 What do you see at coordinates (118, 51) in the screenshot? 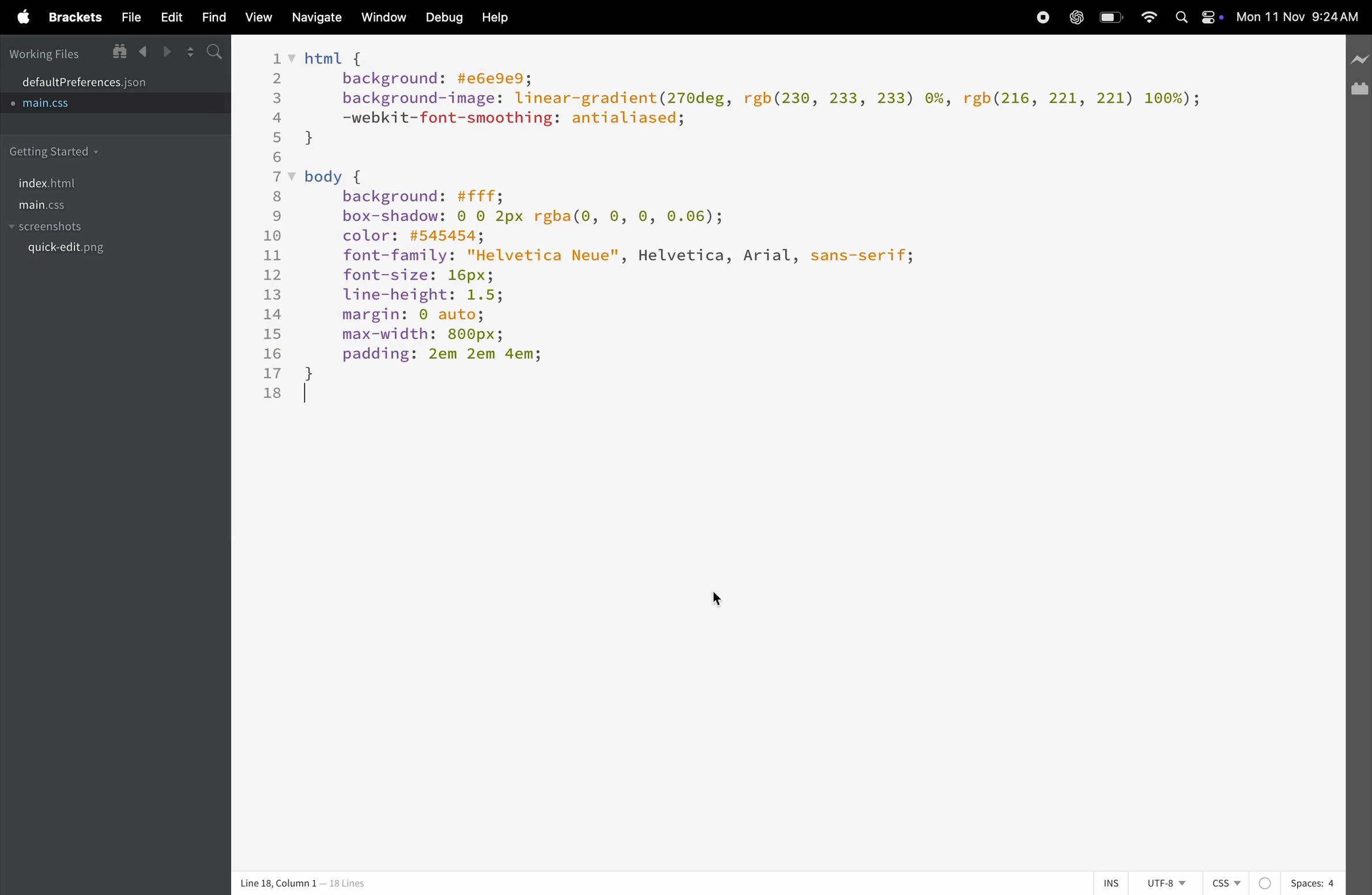
I see `show in file tree` at bounding box center [118, 51].